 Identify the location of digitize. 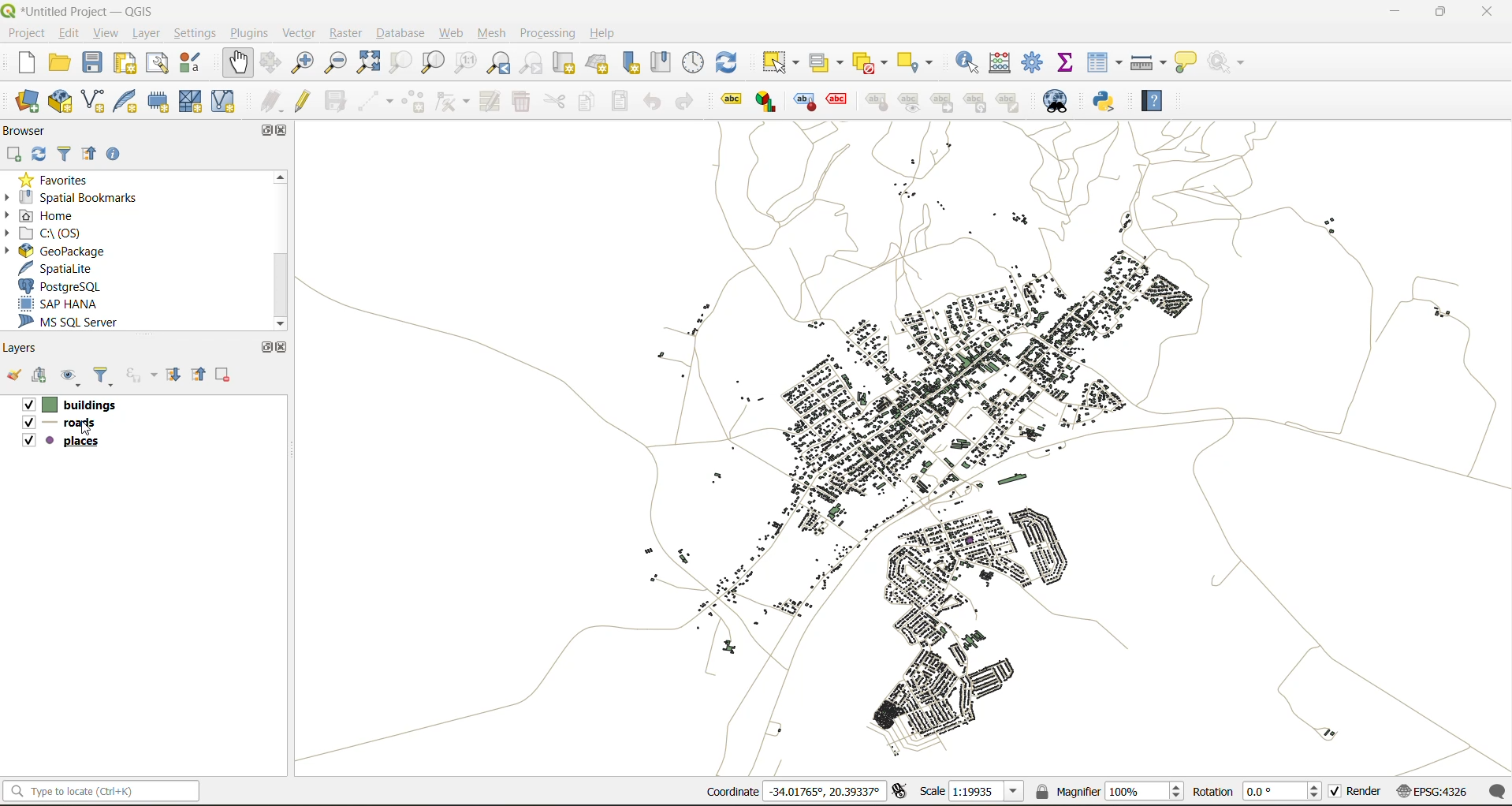
(374, 99).